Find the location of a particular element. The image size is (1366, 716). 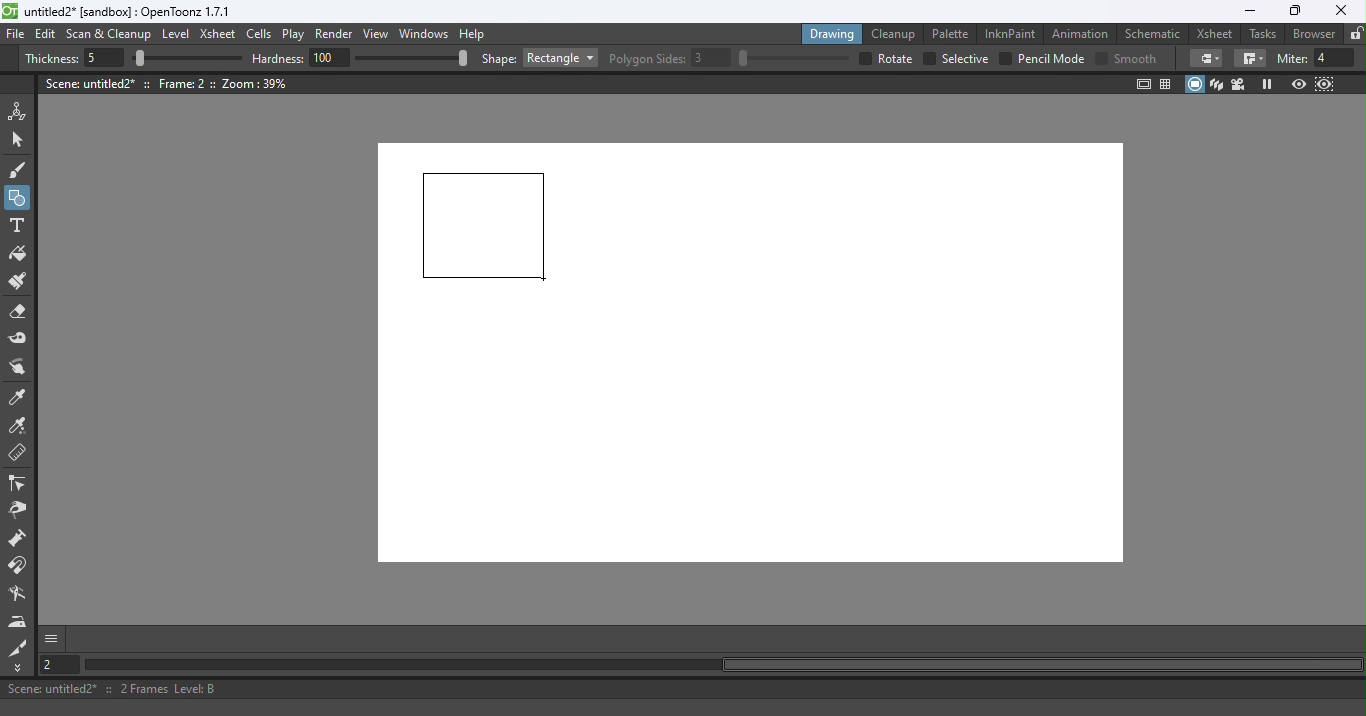

Polygon slides is located at coordinates (647, 59).